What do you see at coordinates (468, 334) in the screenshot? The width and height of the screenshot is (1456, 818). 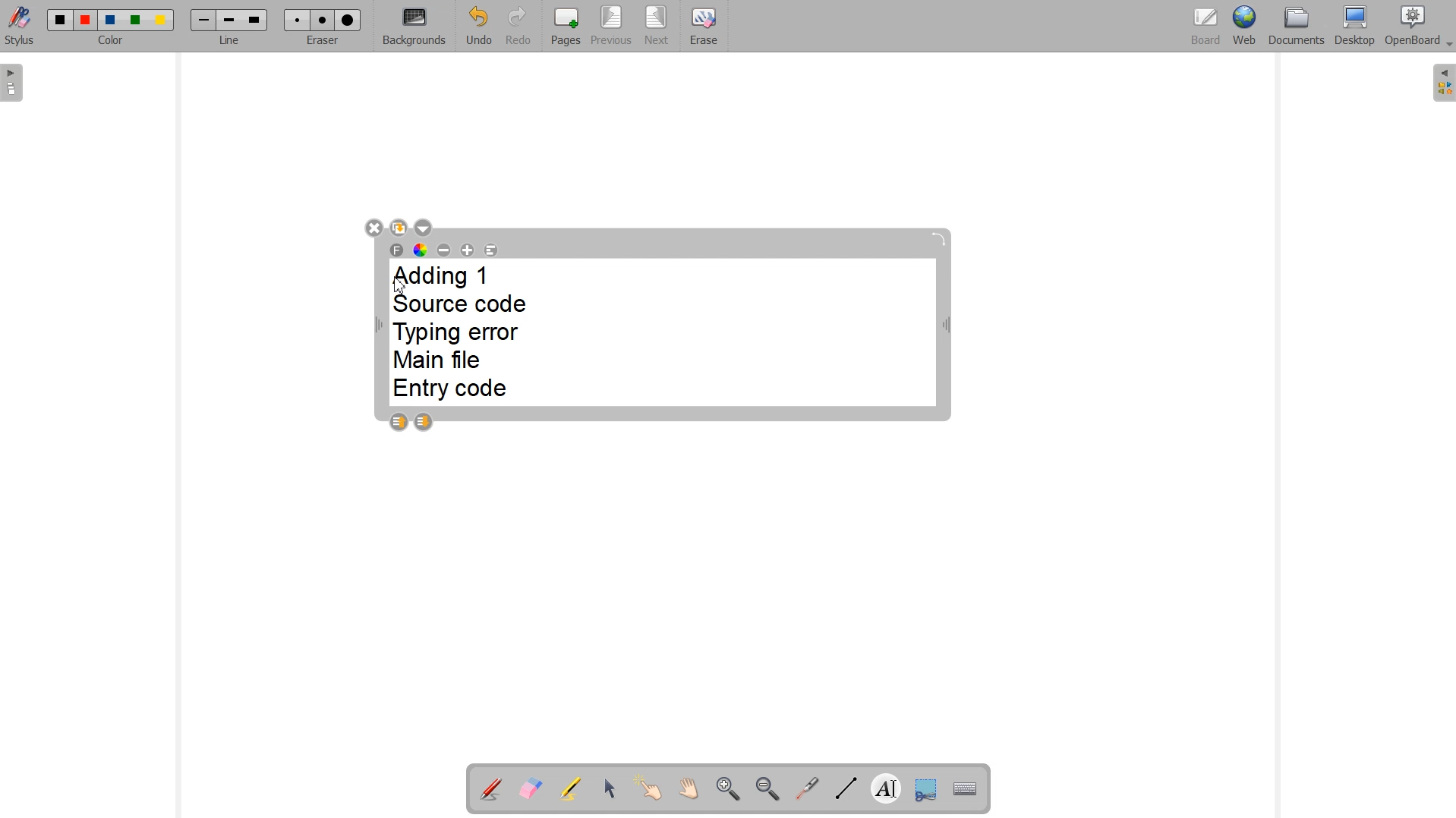 I see `Adding 1
Source code
Typing error
Main file
Entry code` at bounding box center [468, 334].